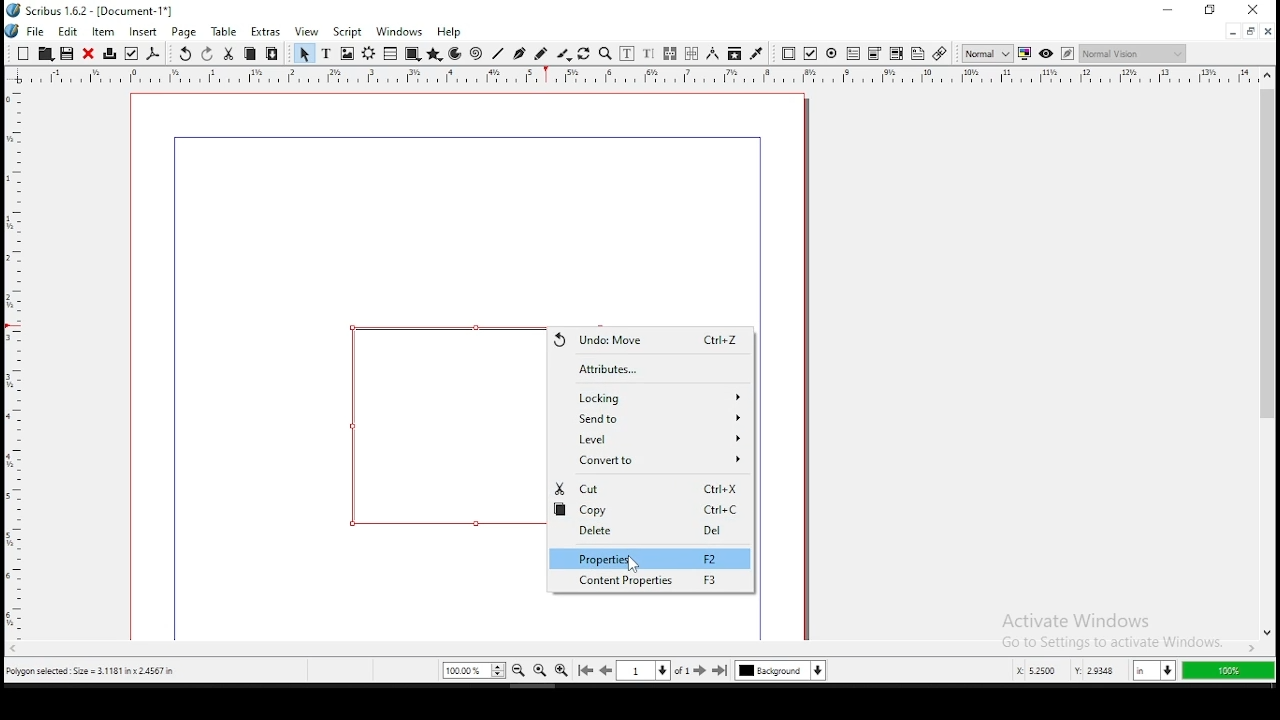 This screenshot has height=720, width=1280. What do you see at coordinates (1255, 10) in the screenshot?
I see `close` at bounding box center [1255, 10].